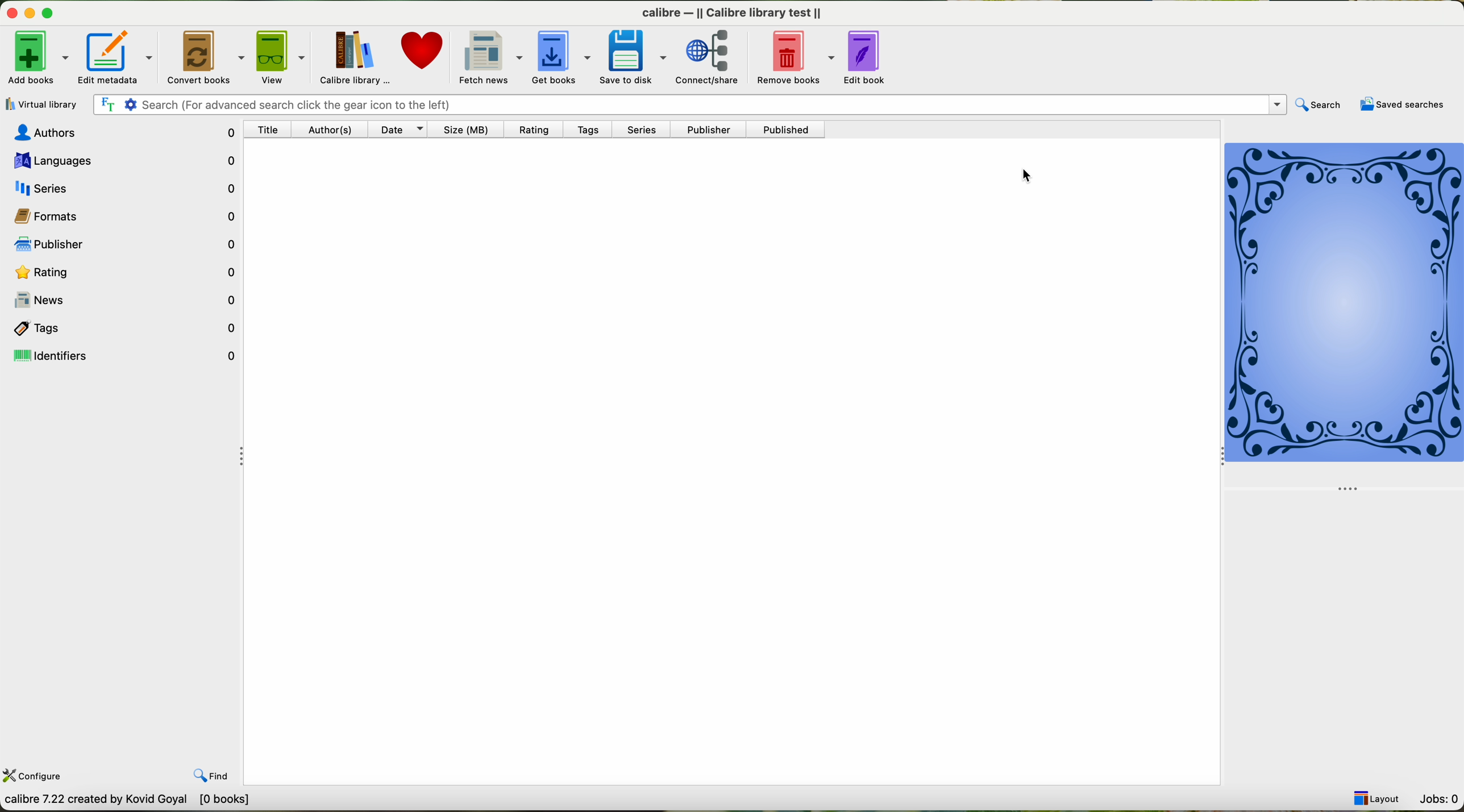  What do you see at coordinates (465, 129) in the screenshot?
I see `size` at bounding box center [465, 129].